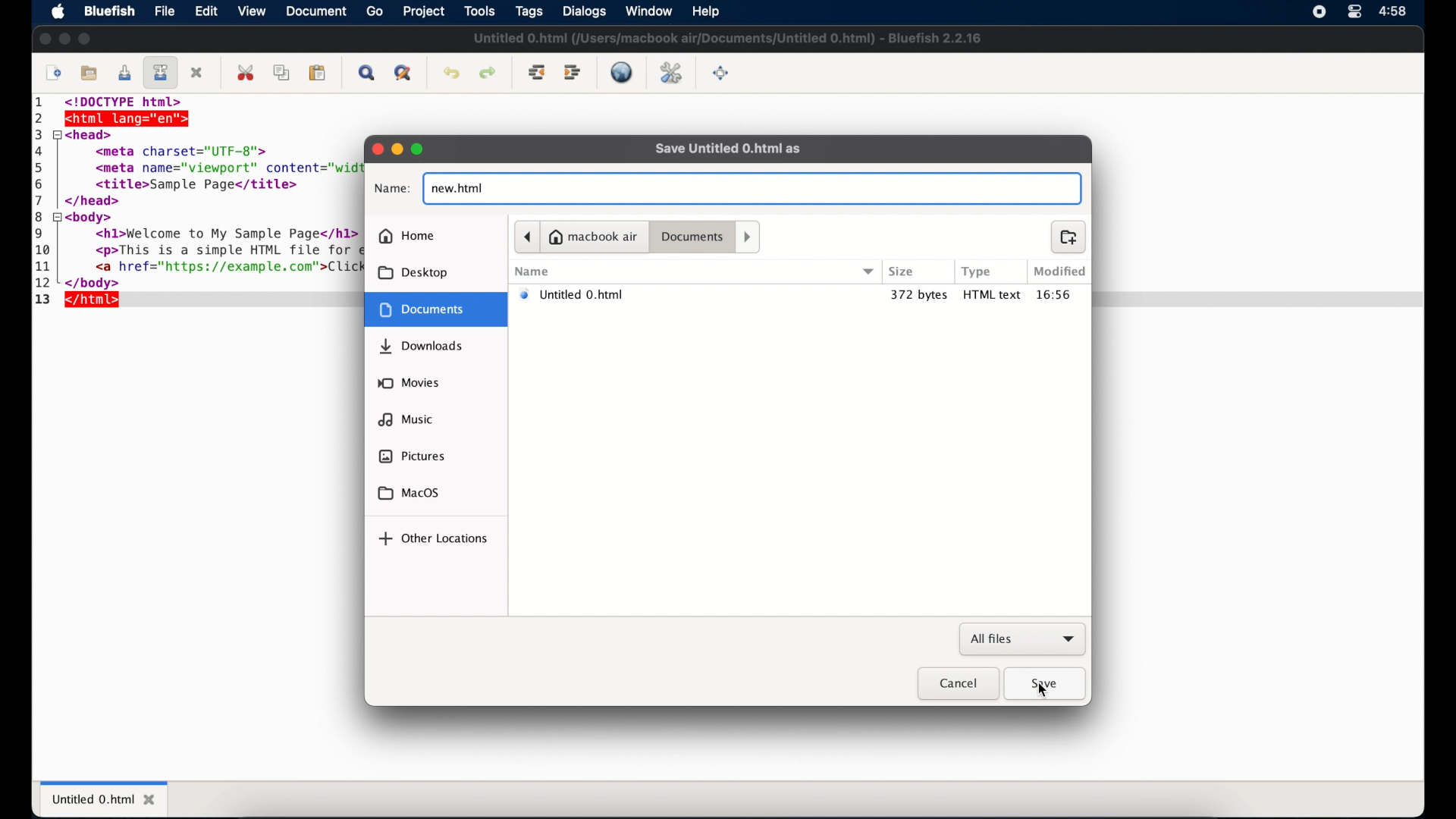 This screenshot has height=819, width=1456. I want to click on full screen, so click(721, 74).